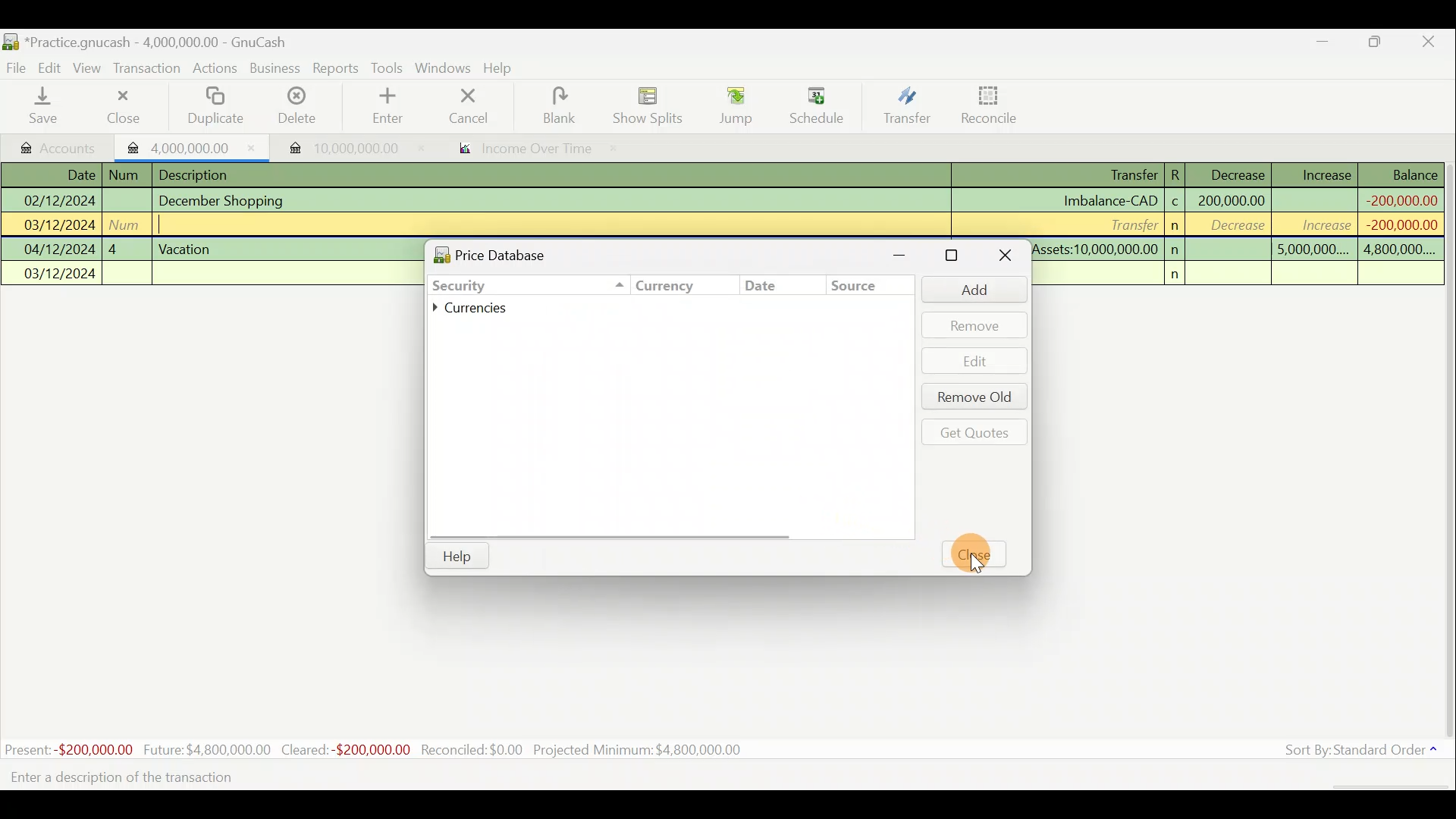 This screenshot has height=819, width=1456. I want to click on n, so click(1177, 249).